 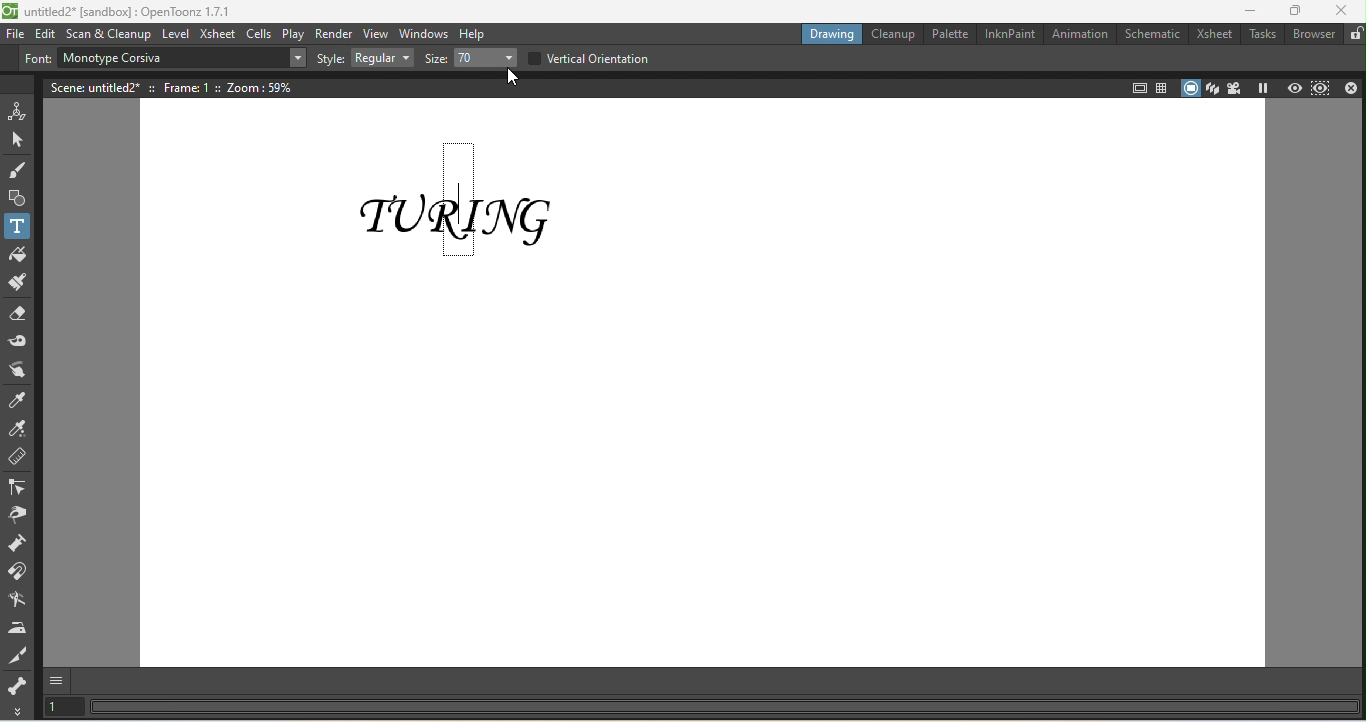 What do you see at coordinates (1007, 33) in the screenshot?
I see `InknPaint` at bounding box center [1007, 33].